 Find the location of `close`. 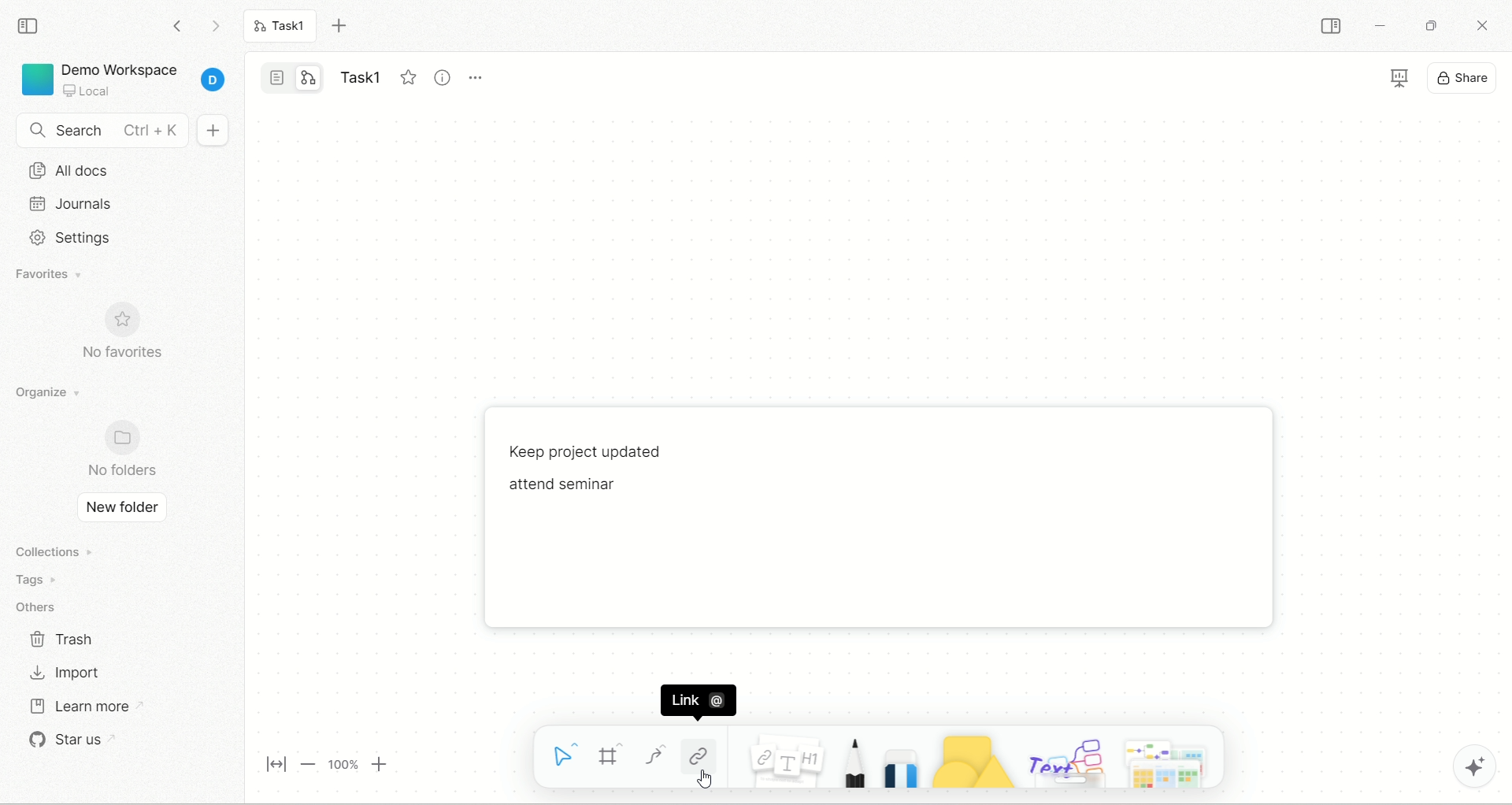

close is located at coordinates (1480, 24).